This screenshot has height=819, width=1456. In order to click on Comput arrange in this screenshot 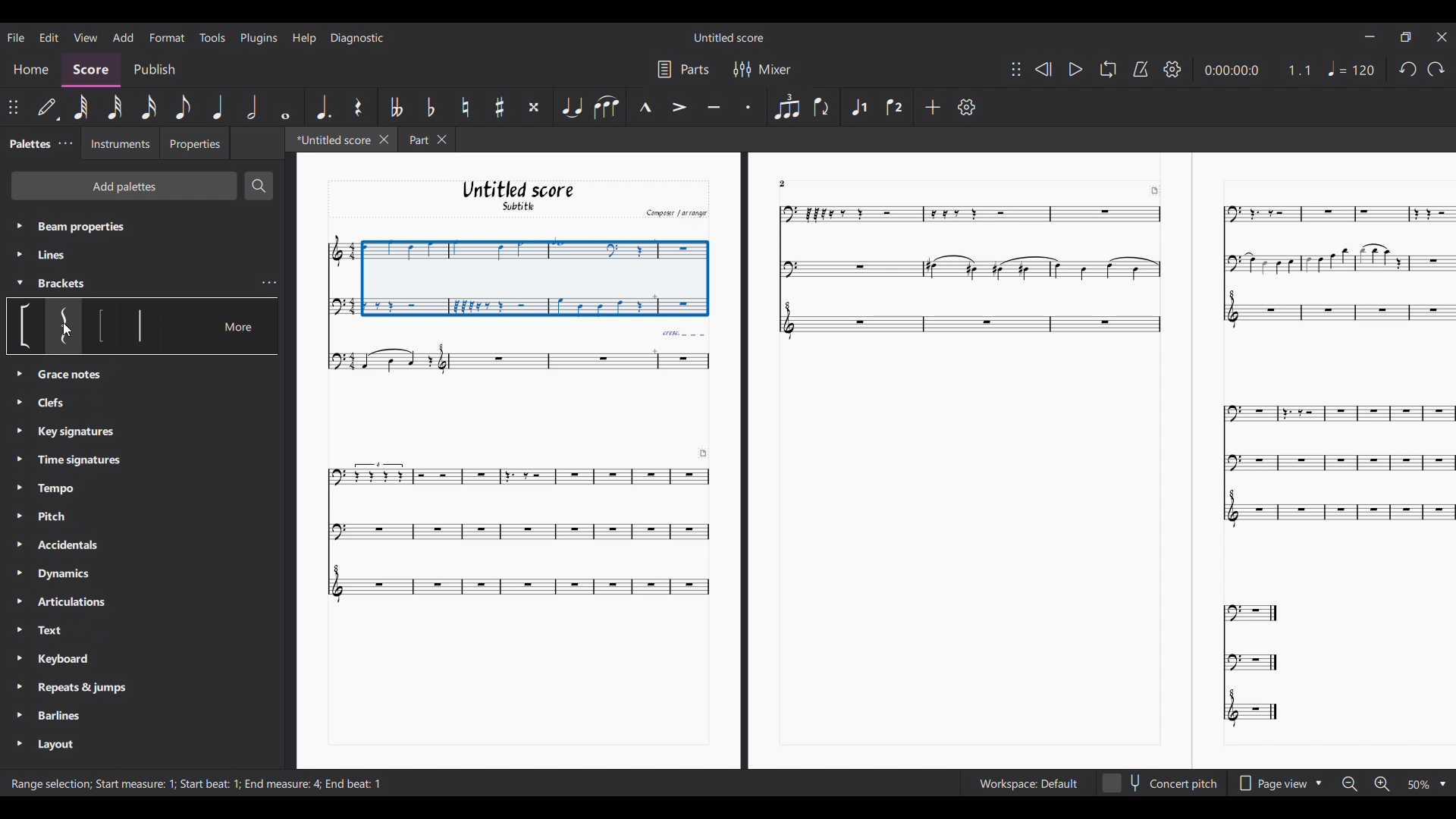, I will do `click(673, 212)`.